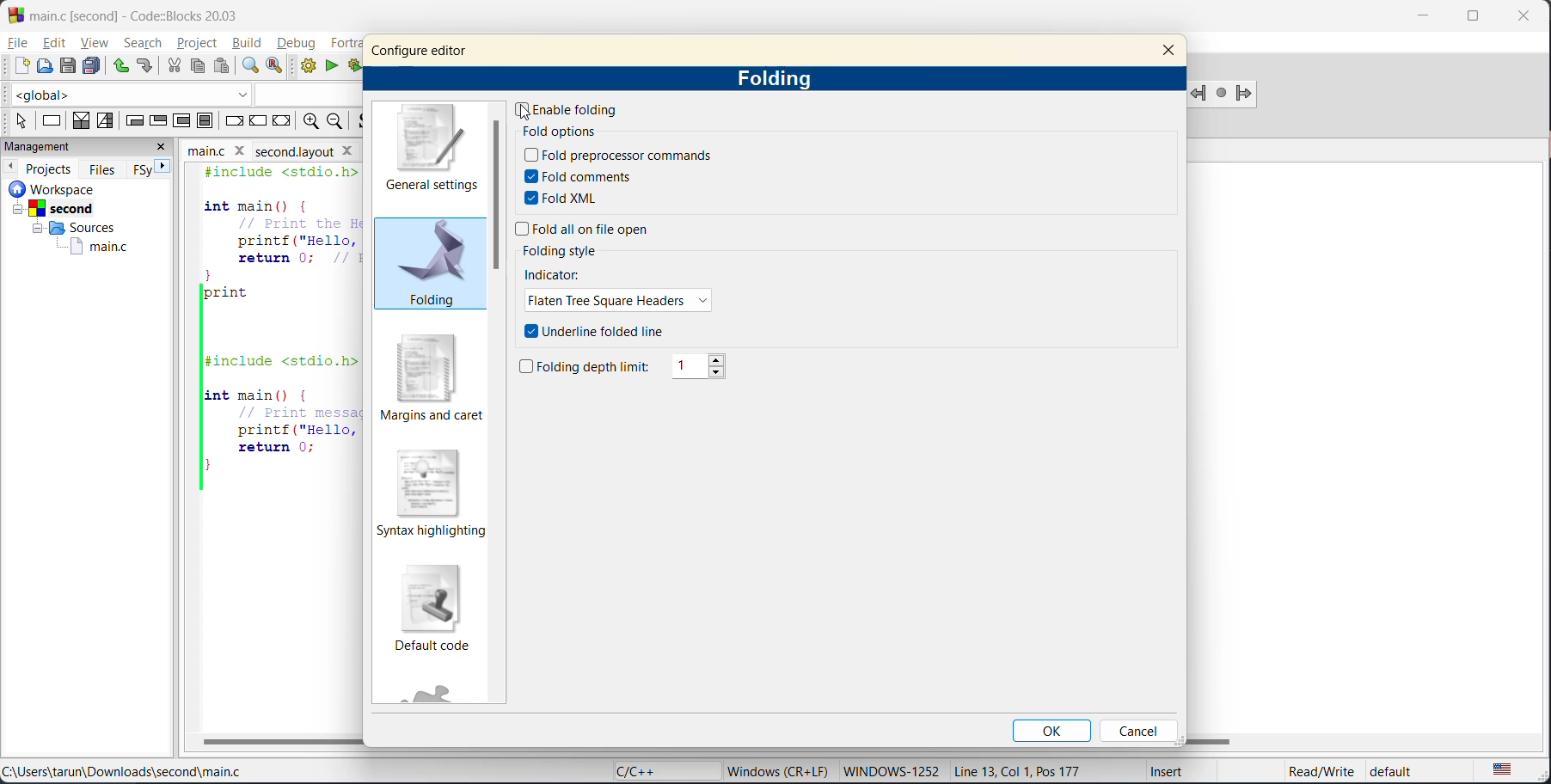 The height and width of the screenshot is (784, 1551). I want to click on exit condition loop, so click(161, 119).